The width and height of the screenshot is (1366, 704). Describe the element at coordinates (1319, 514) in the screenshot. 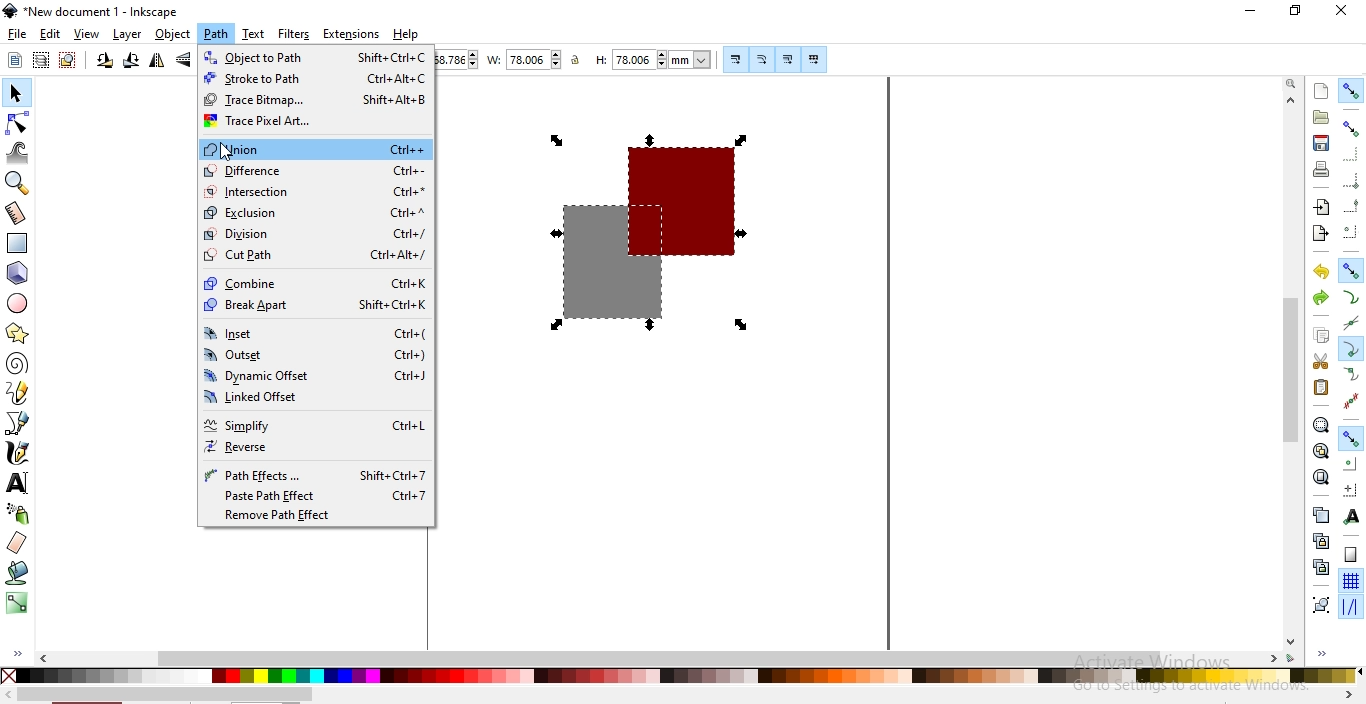

I see `create duplicate` at that location.